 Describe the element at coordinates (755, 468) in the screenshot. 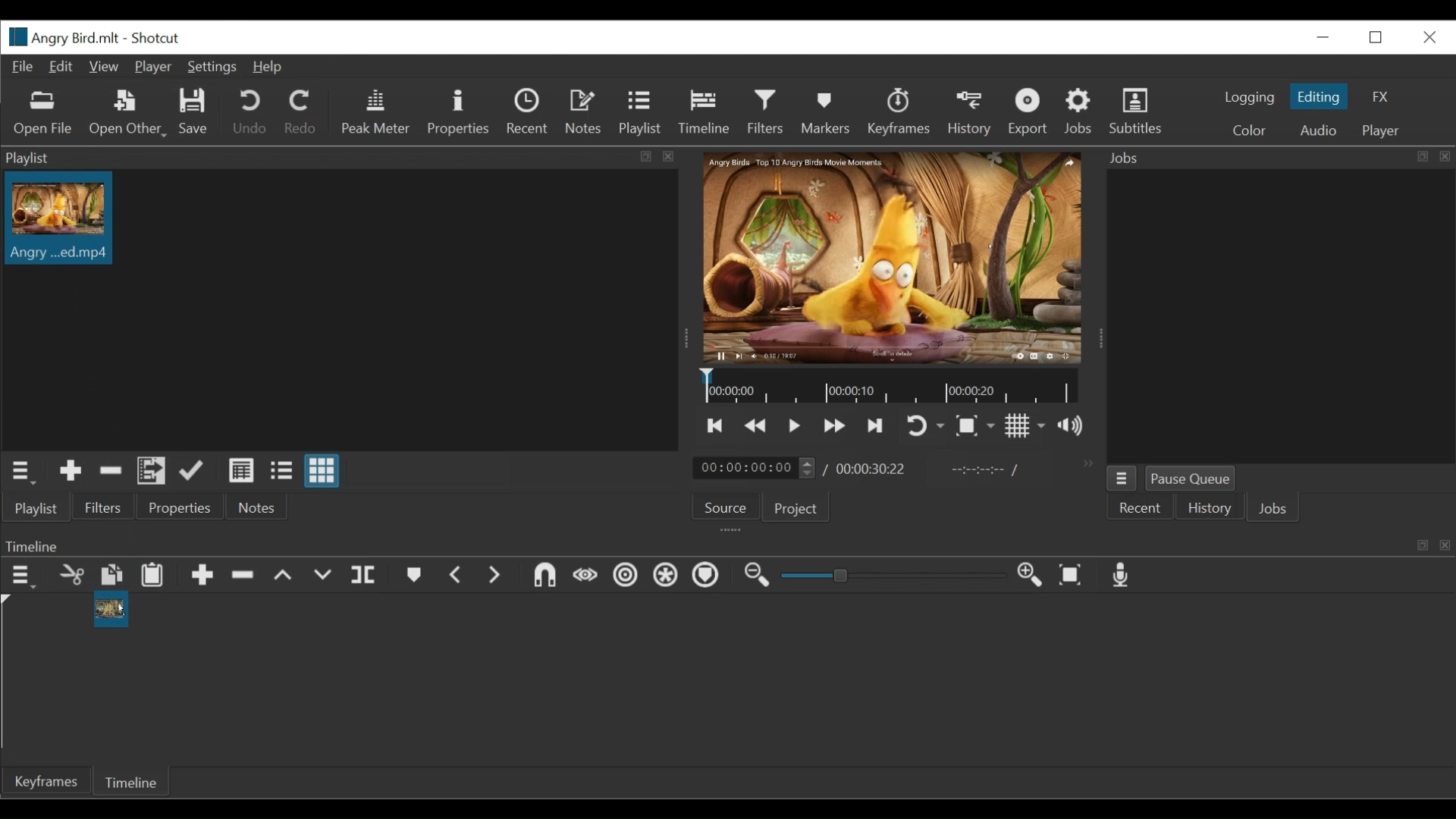

I see `Current duration` at that location.